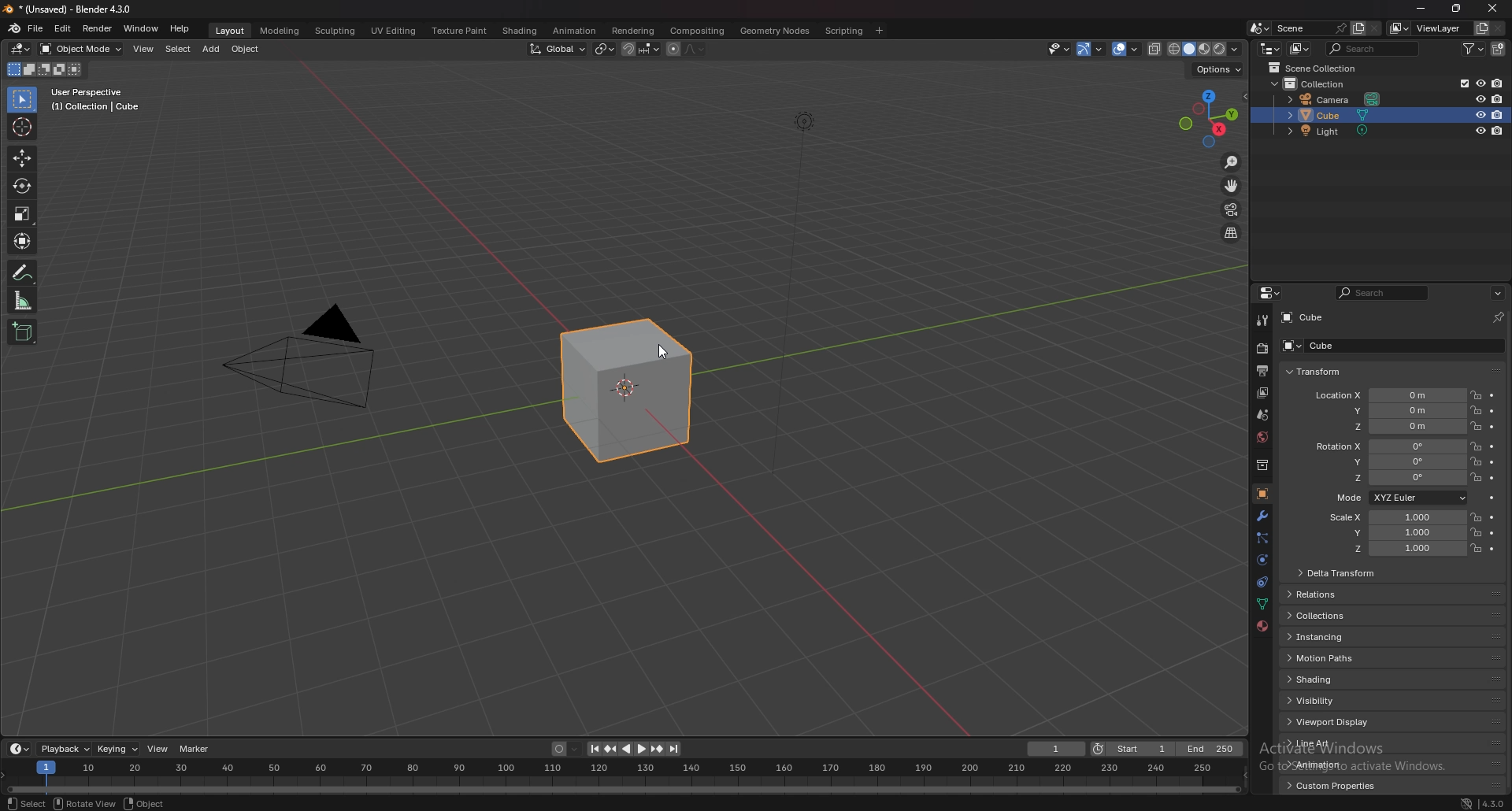 Image resolution: width=1512 pixels, height=811 pixels. Describe the element at coordinates (1475, 477) in the screenshot. I see `lock` at that location.